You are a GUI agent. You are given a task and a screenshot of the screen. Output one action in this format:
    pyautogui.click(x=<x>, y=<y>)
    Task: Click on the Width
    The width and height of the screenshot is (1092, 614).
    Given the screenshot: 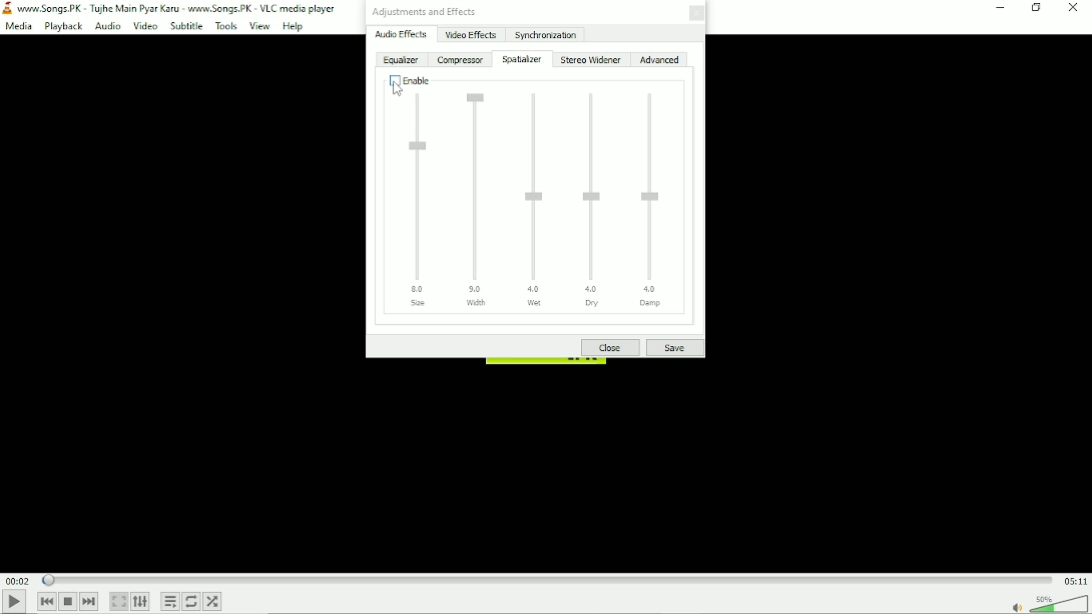 What is the action you would take?
    pyautogui.click(x=479, y=197)
    